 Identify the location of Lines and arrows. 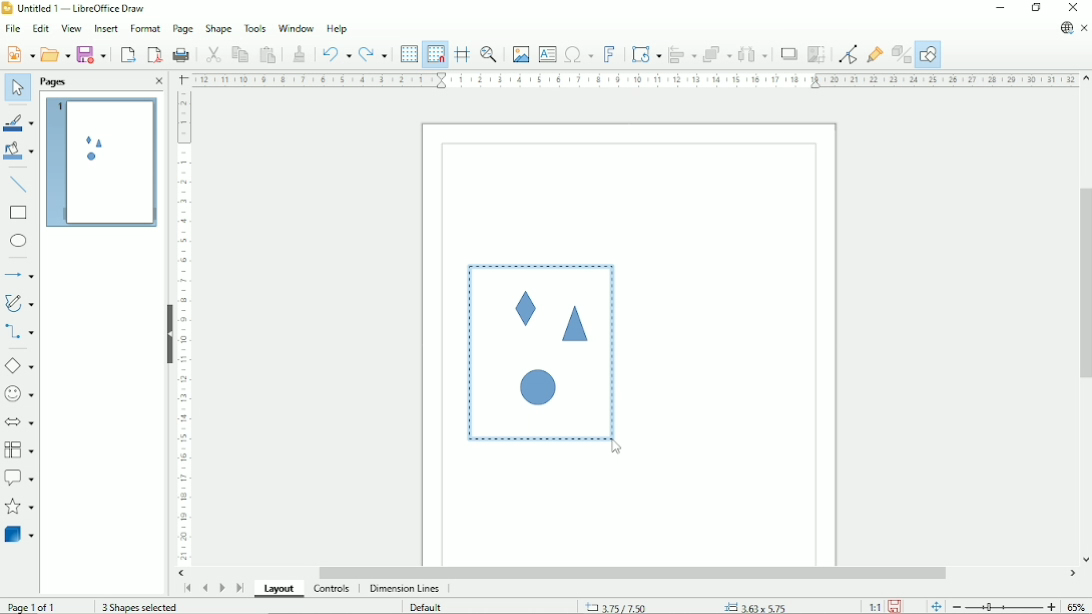
(21, 275).